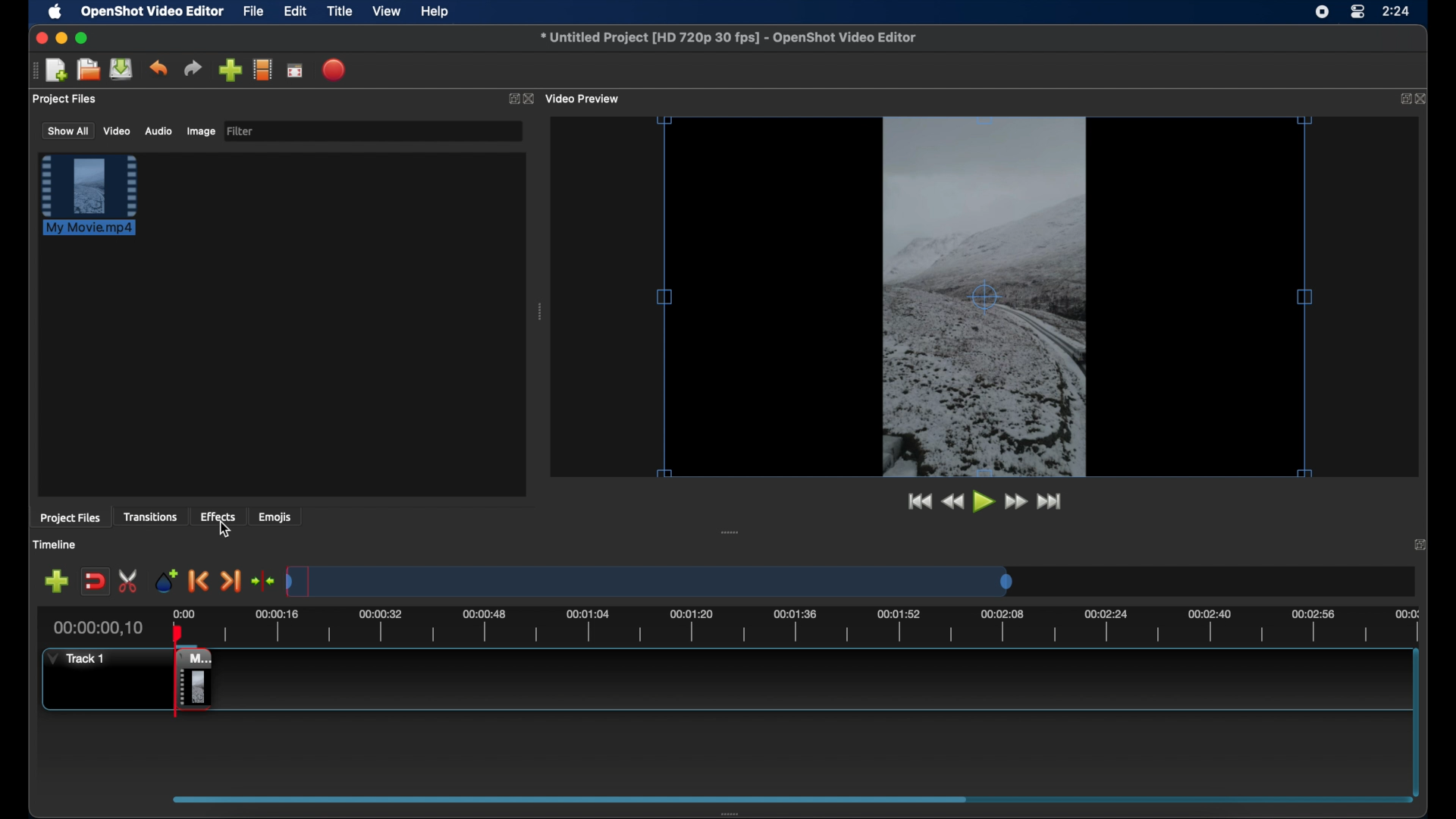  I want to click on timeline scale, so click(820, 626).